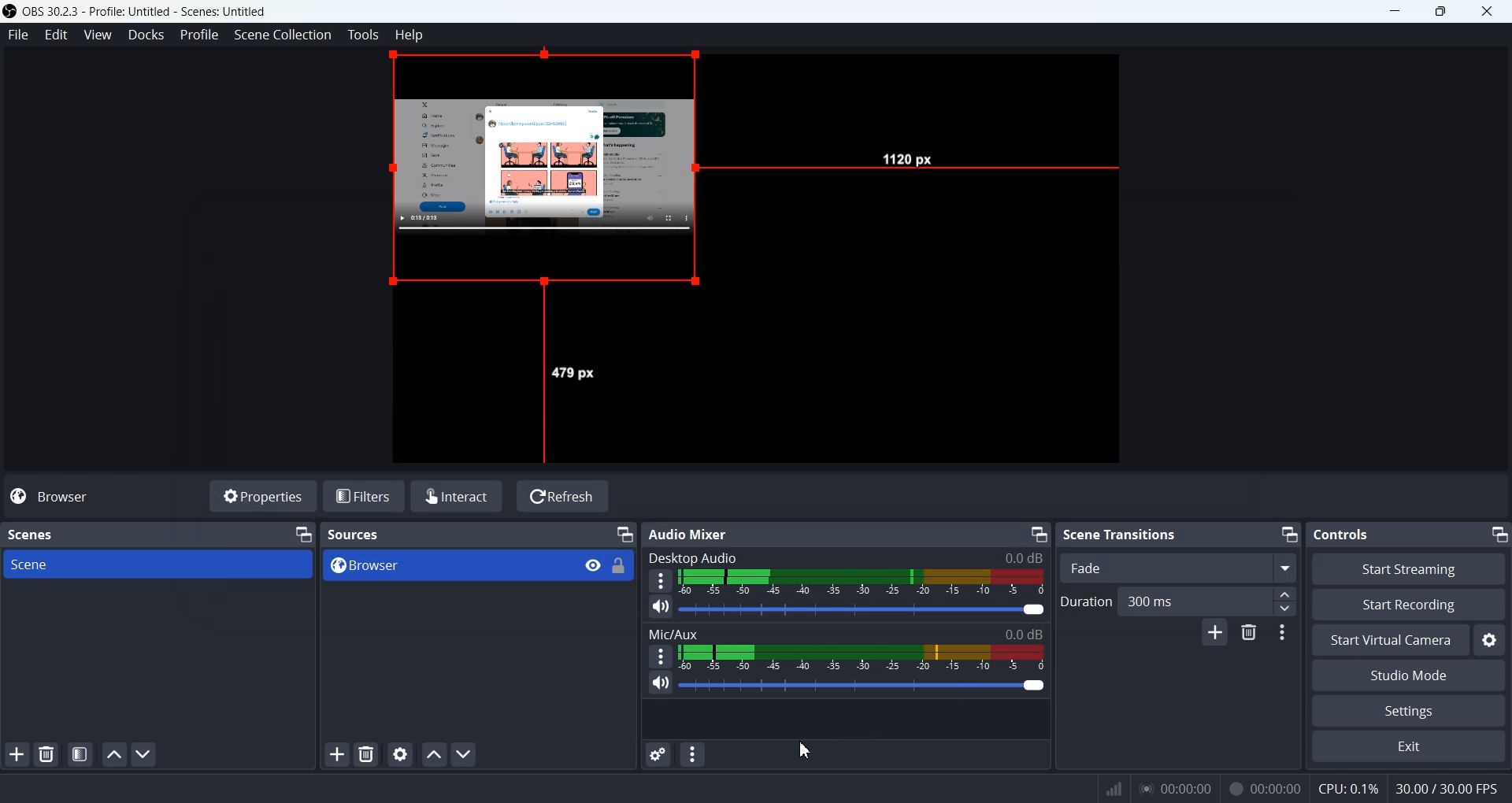 Image resolution: width=1512 pixels, height=803 pixels. What do you see at coordinates (845, 632) in the screenshot?
I see `Mic/Aux 0.0 dB` at bounding box center [845, 632].